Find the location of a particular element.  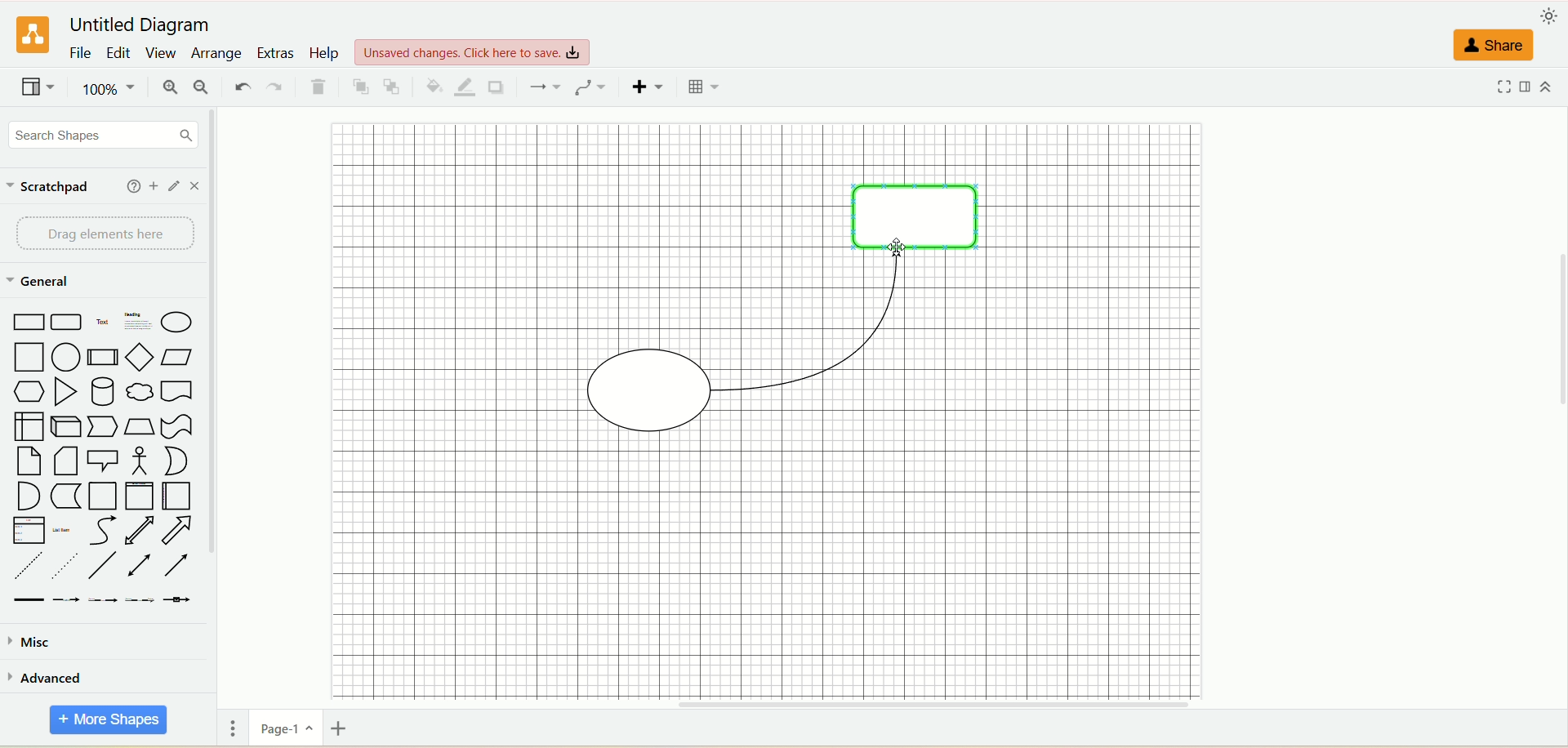

page-1 is located at coordinates (283, 728).